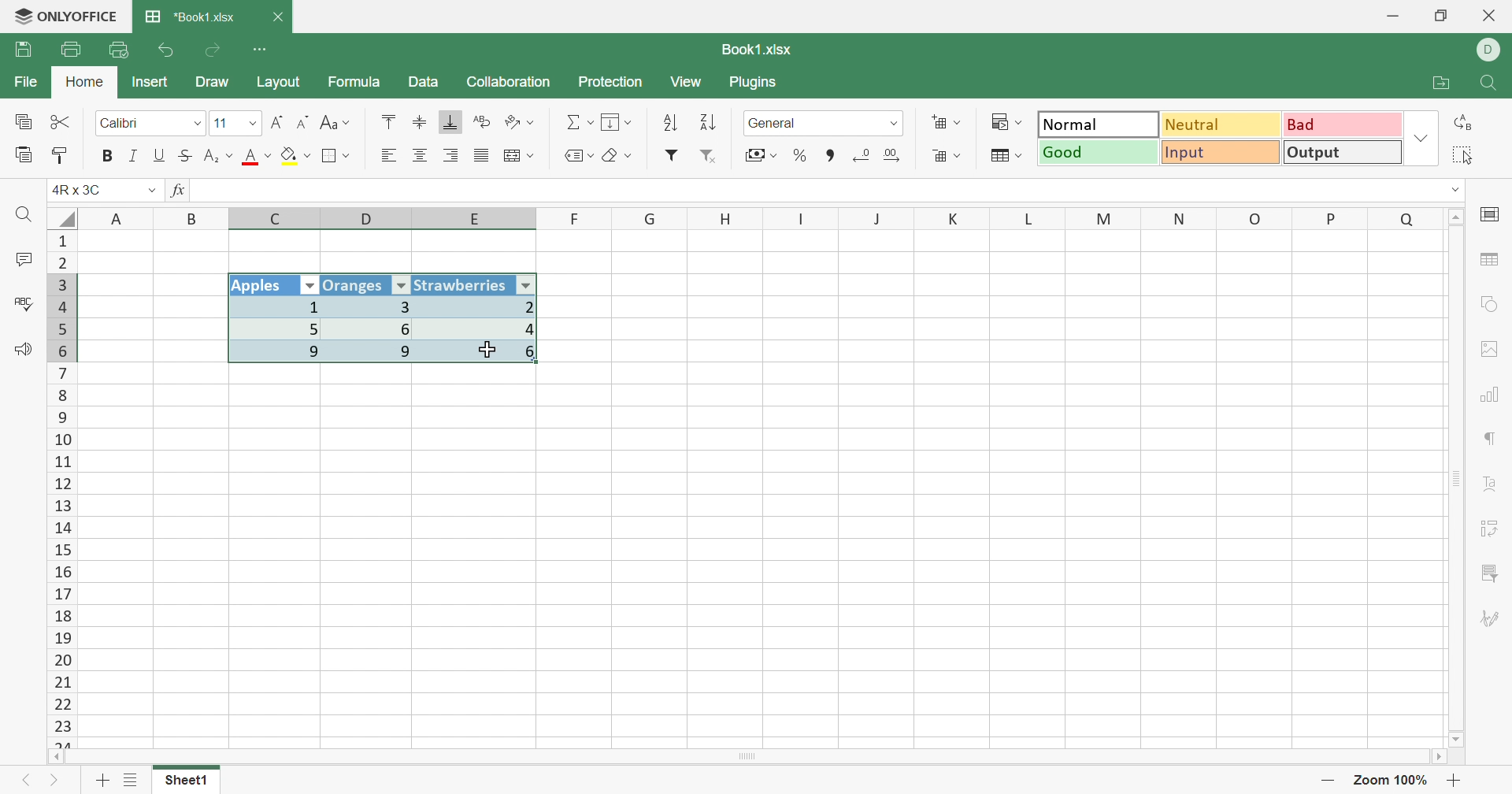 This screenshot has width=1512, height=794. I want to click on F, so click(576, 218).